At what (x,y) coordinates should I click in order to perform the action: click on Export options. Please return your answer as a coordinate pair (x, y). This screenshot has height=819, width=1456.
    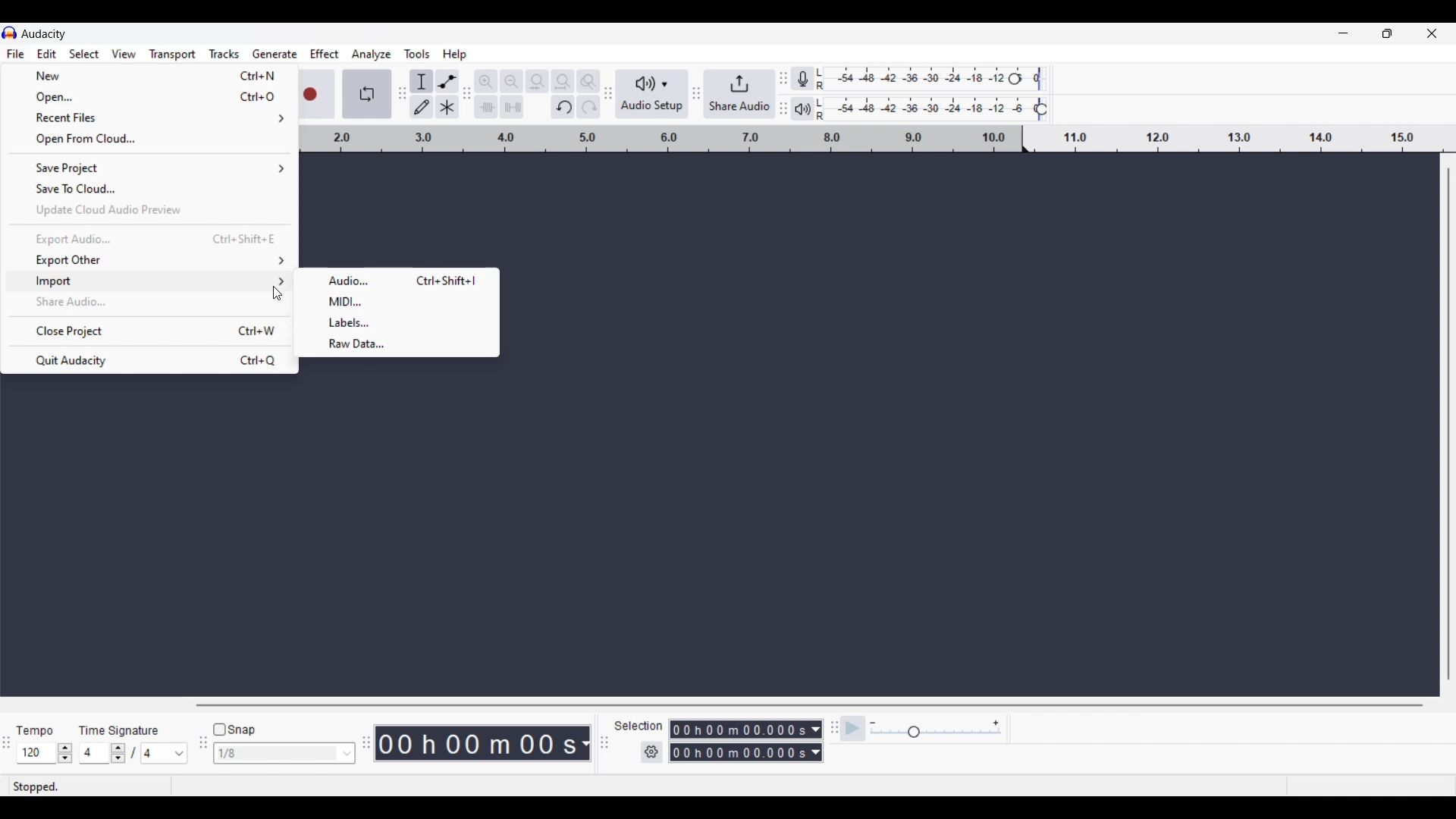
    Looking at the image, I should click on (149, 260).